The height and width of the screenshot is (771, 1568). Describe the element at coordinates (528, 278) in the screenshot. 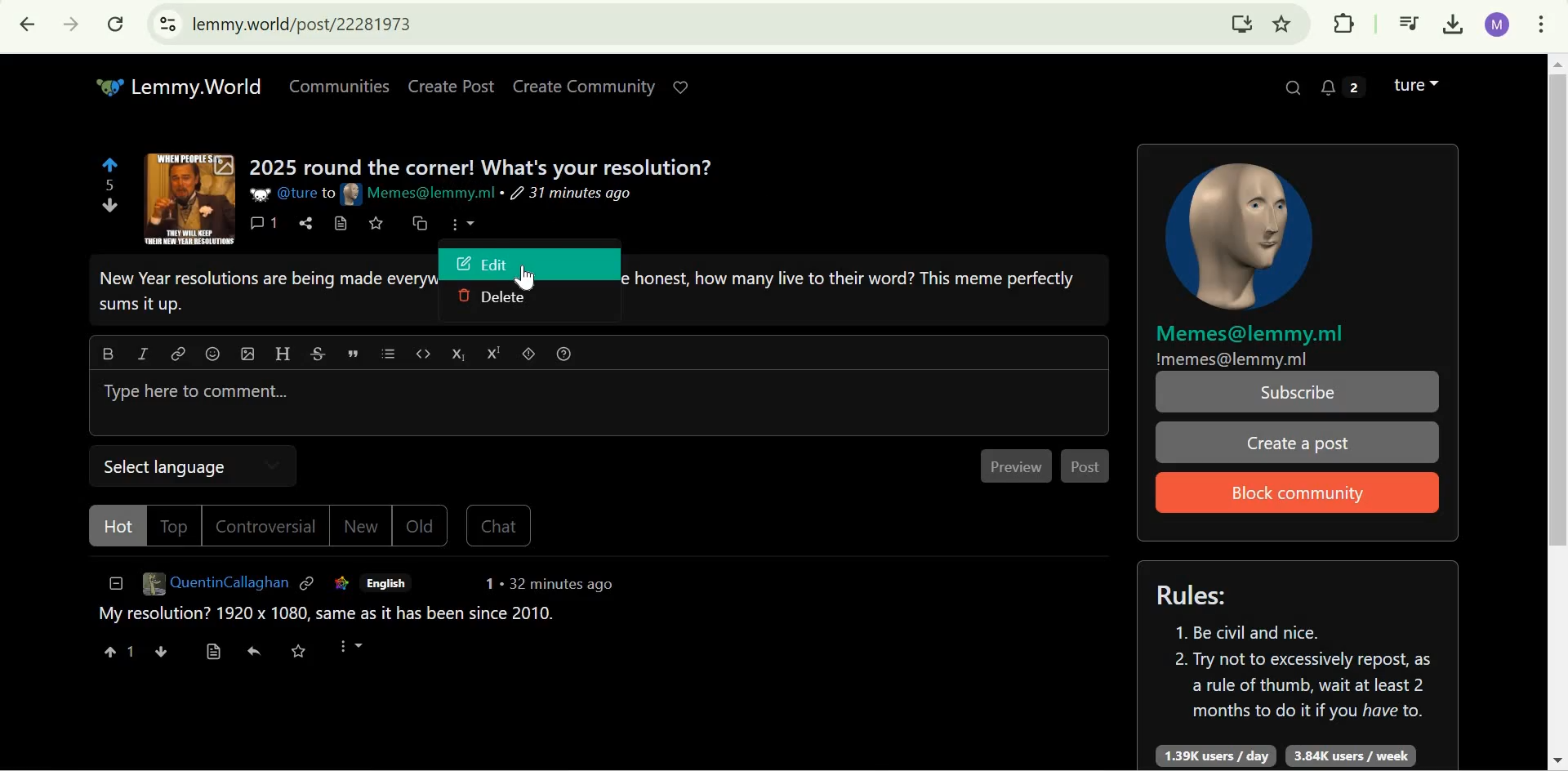

I see `cursor` at that location.